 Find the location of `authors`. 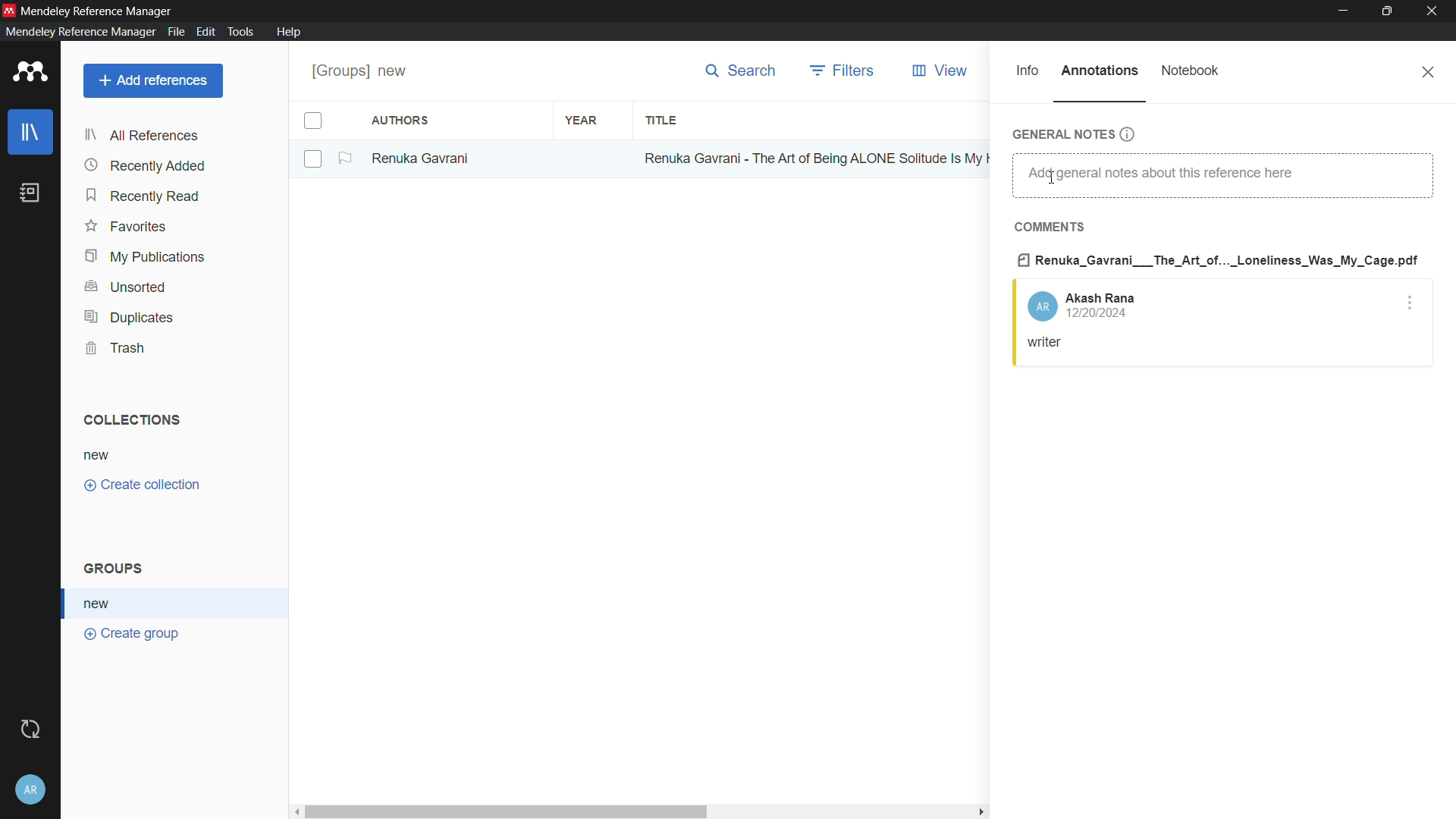

authors is located at coordinates (402, 121).